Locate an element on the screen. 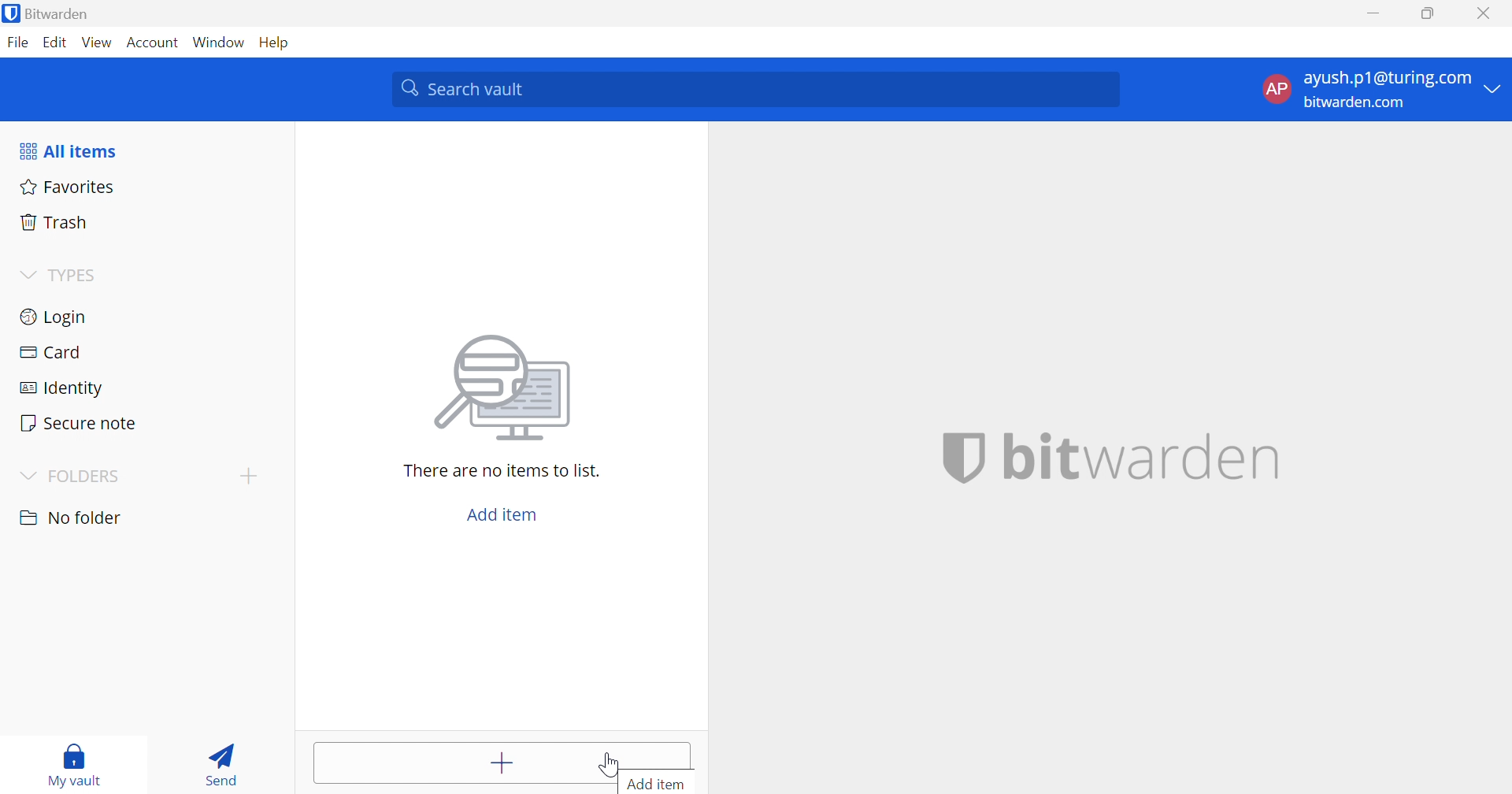 This screenshot has height=794, width=1512. Login is located at coordinates (55, 317).